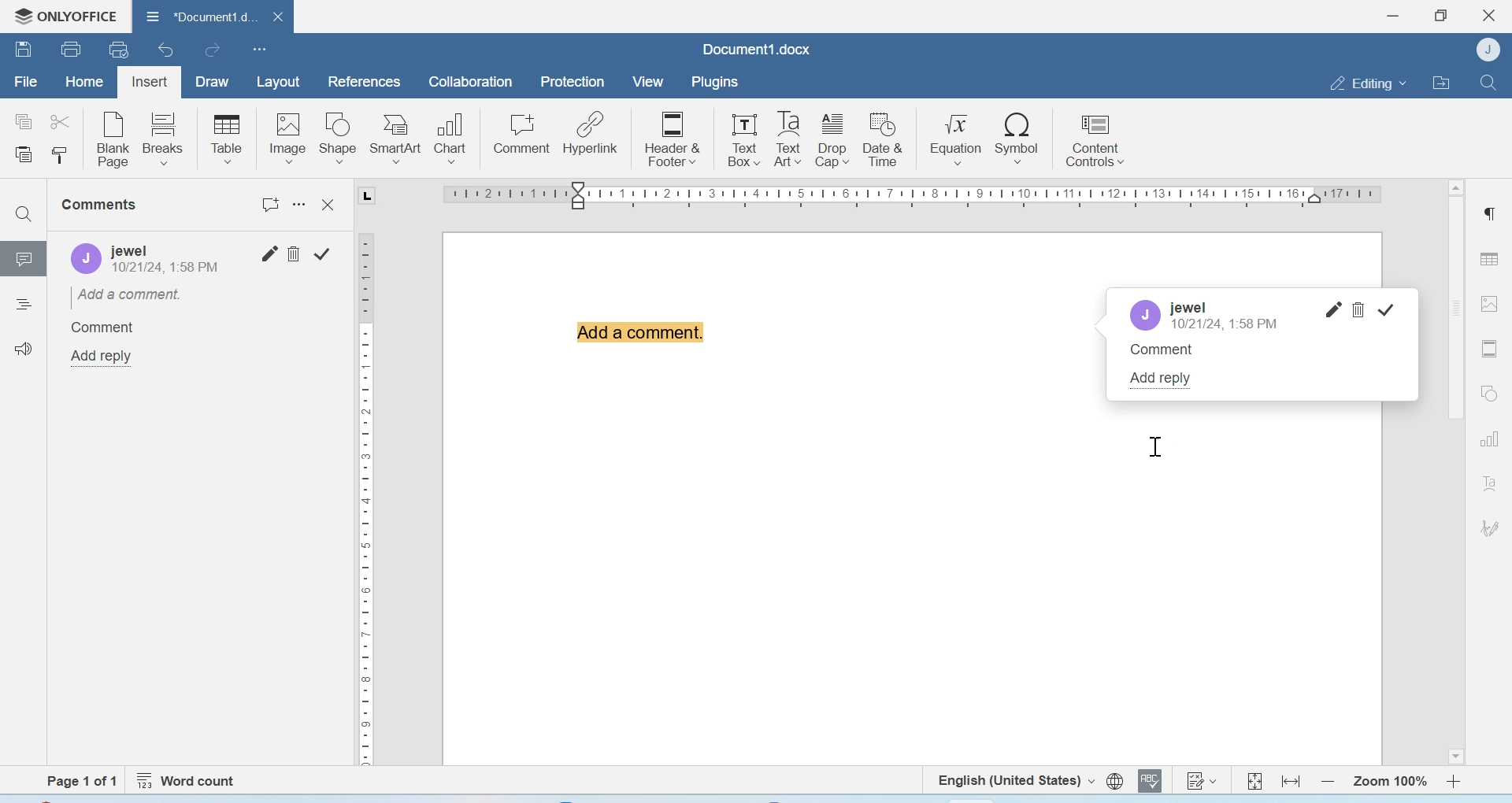 The image size is (1512, 803). I want to click on More, so click(302, 209).